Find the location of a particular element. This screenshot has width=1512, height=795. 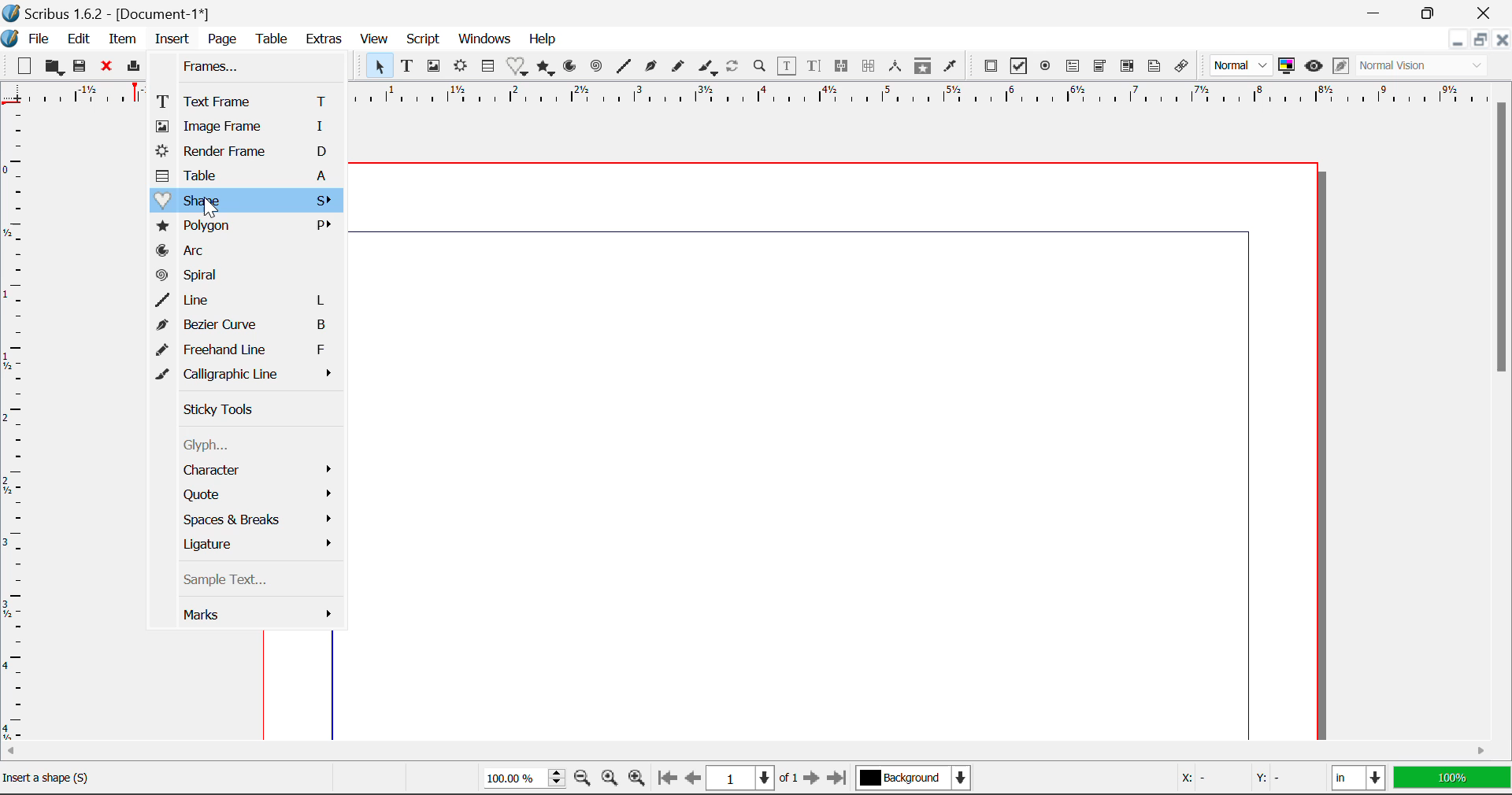

Line is located at coordinates (625, 67).